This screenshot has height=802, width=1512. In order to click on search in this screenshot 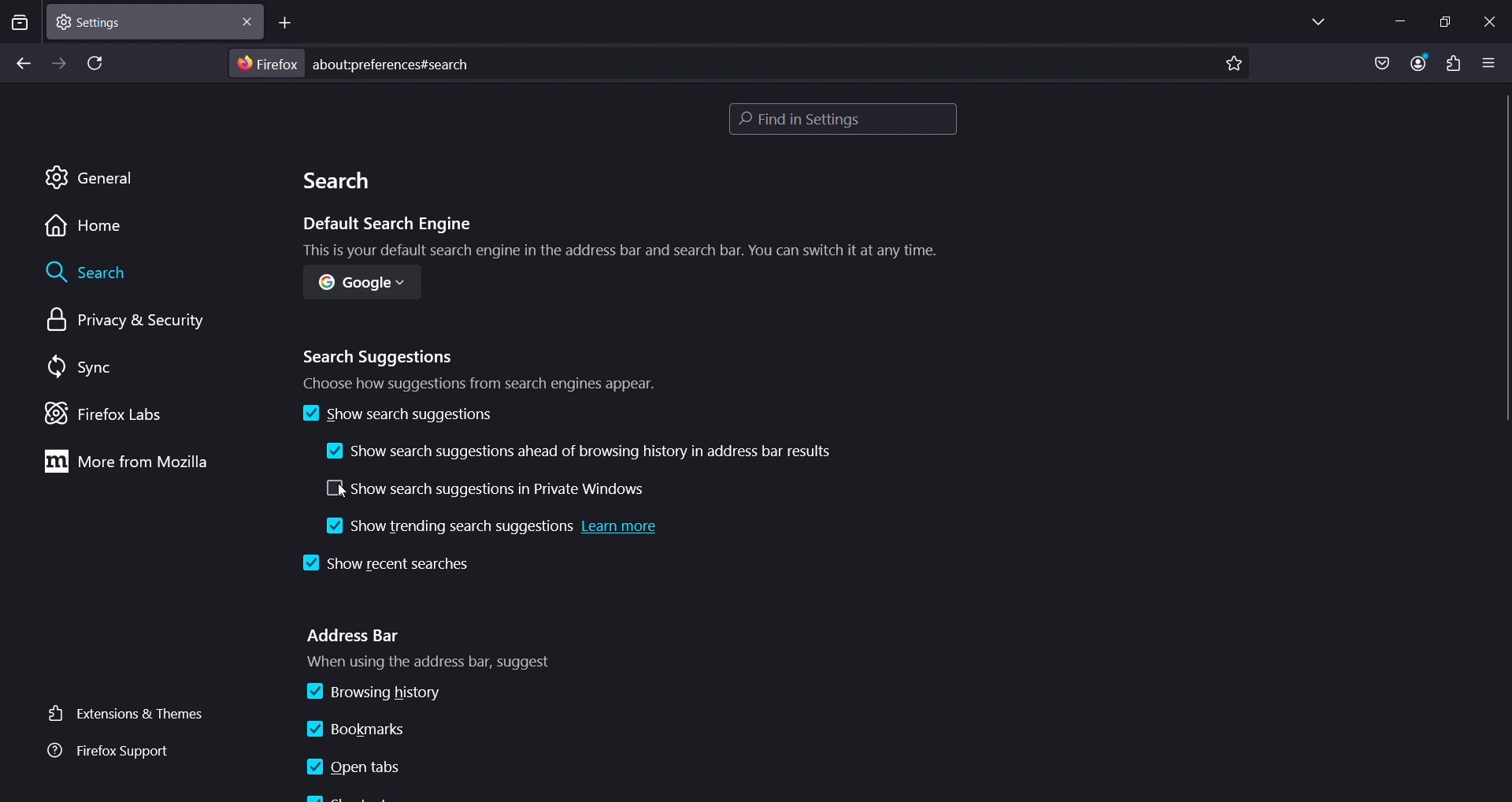, I will do `click(341, 184)`.